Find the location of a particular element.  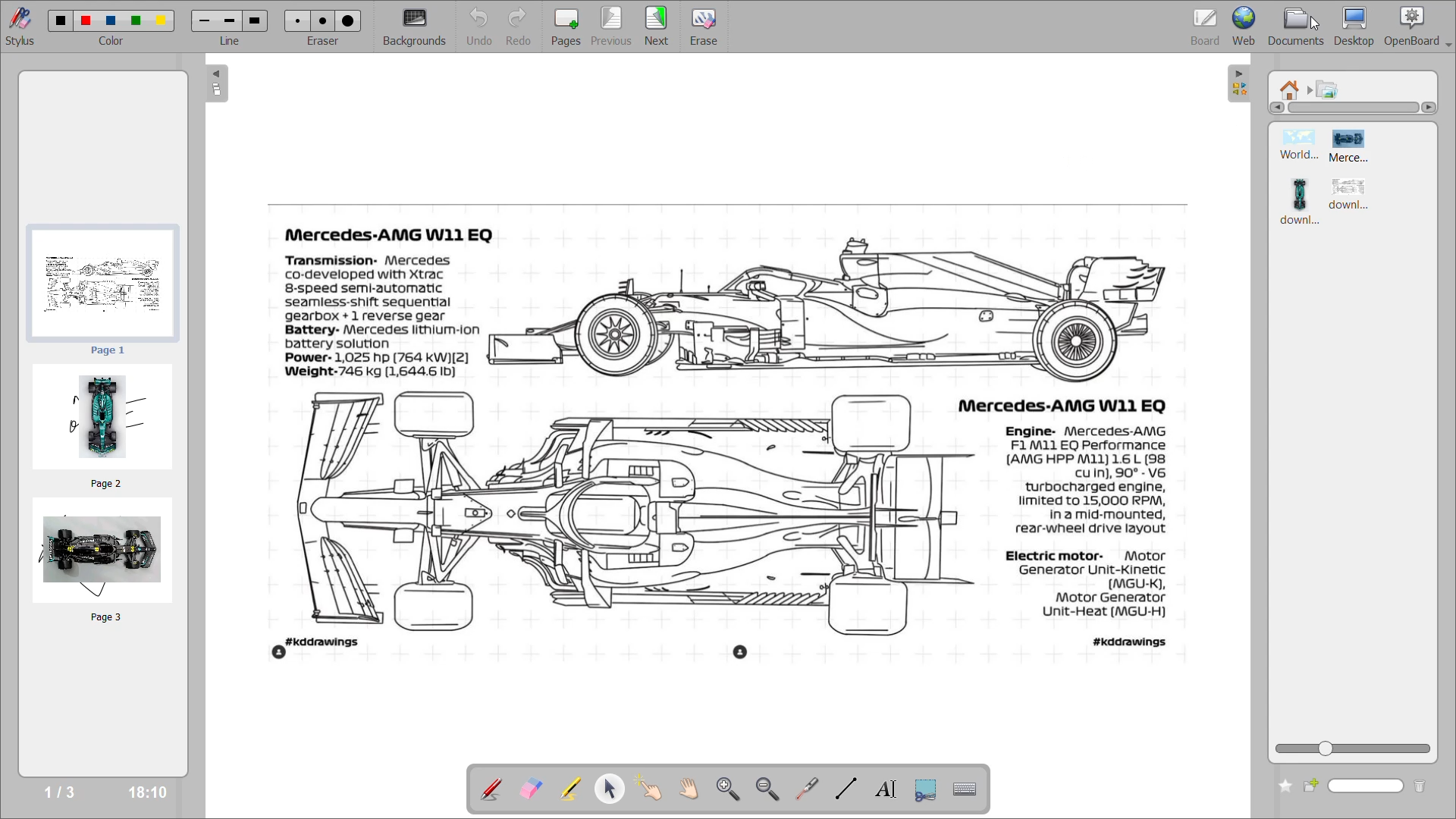

line is located at coordinates (231, 42).